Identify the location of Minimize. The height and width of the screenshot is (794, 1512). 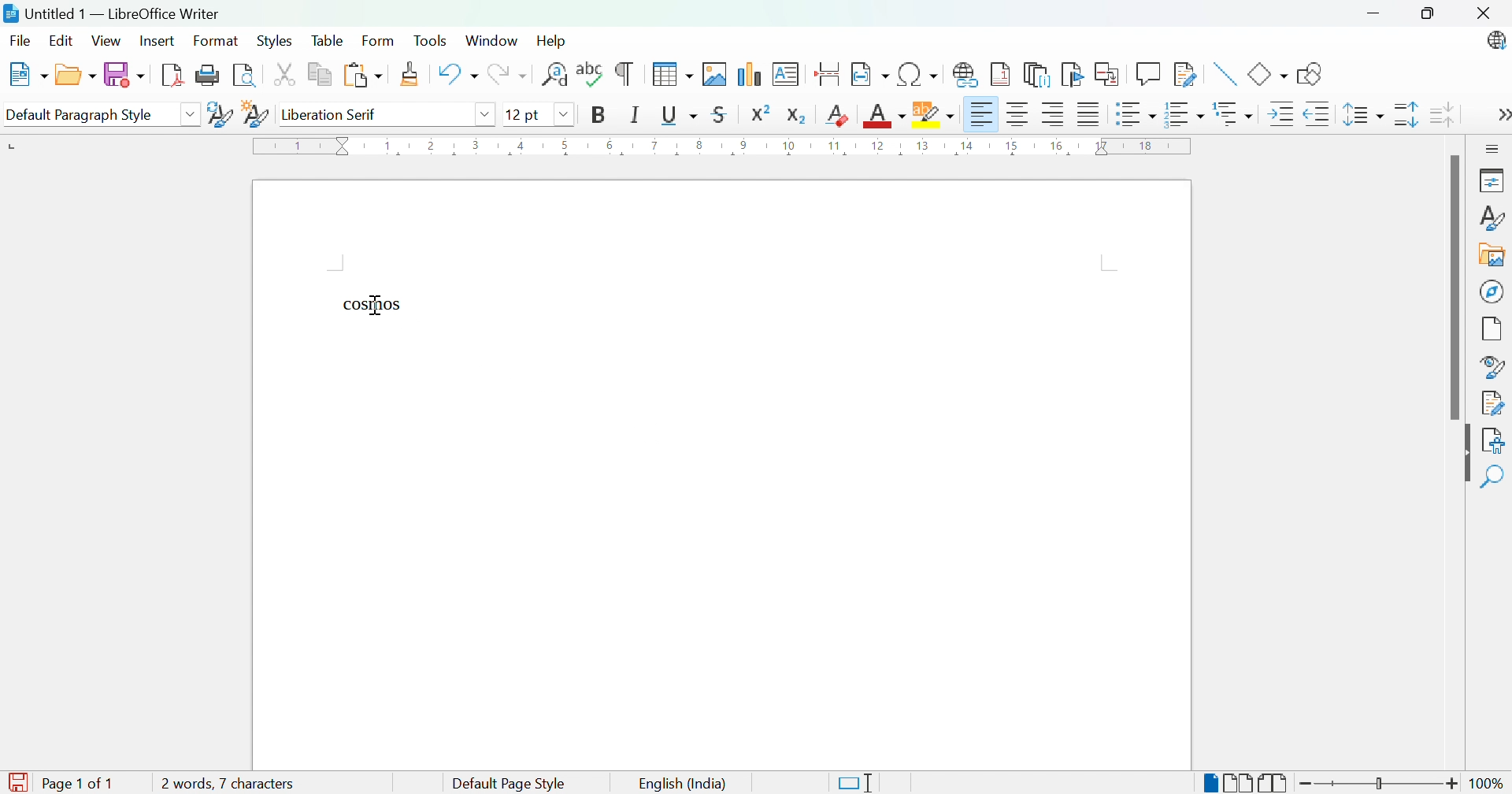
(1377, 16).